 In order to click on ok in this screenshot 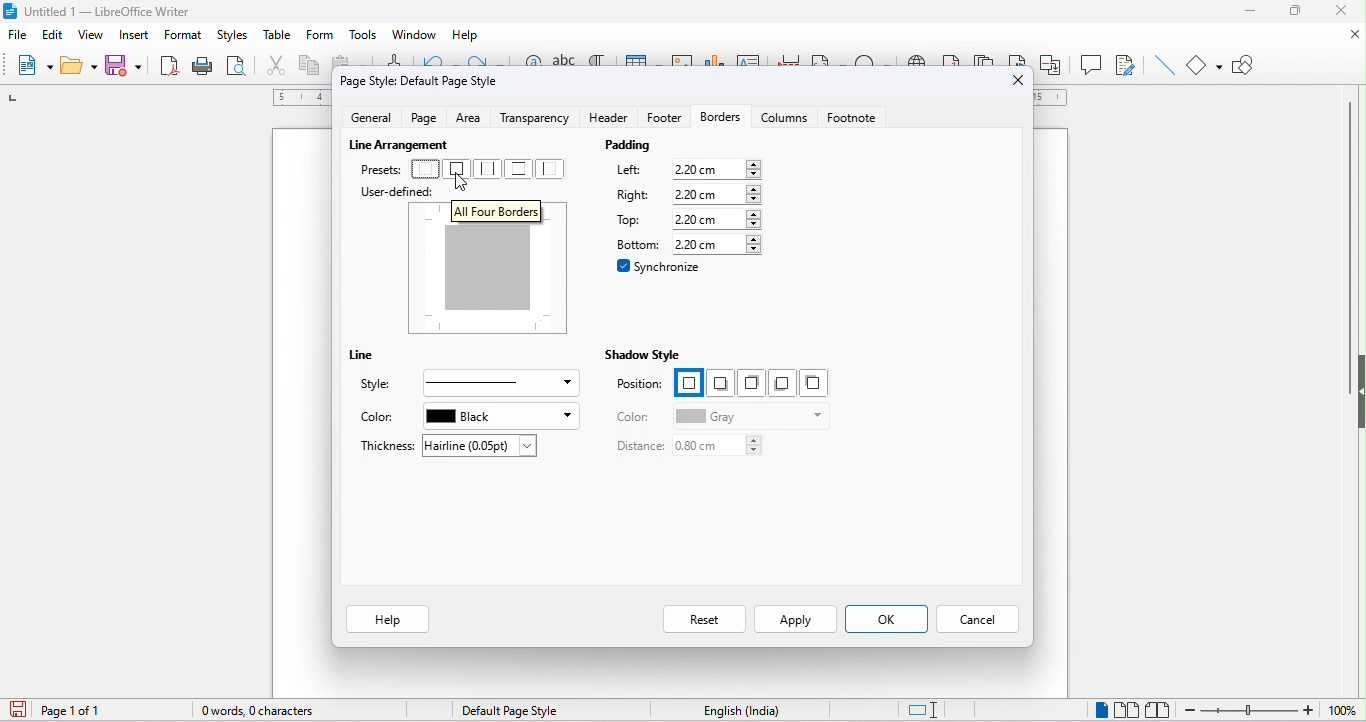, I will do `click(889, 620)`.